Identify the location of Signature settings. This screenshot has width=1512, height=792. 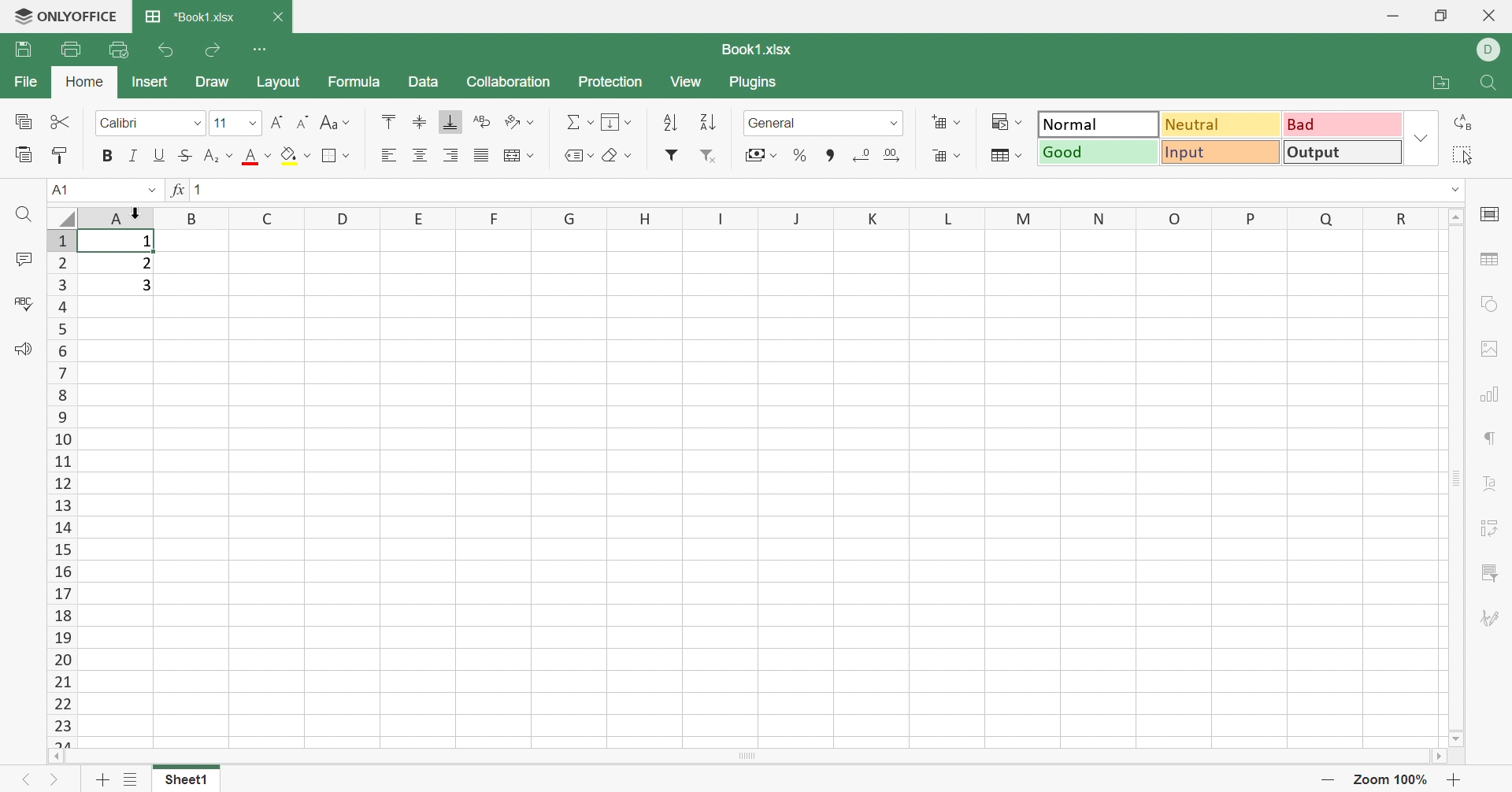
(1494, 621).